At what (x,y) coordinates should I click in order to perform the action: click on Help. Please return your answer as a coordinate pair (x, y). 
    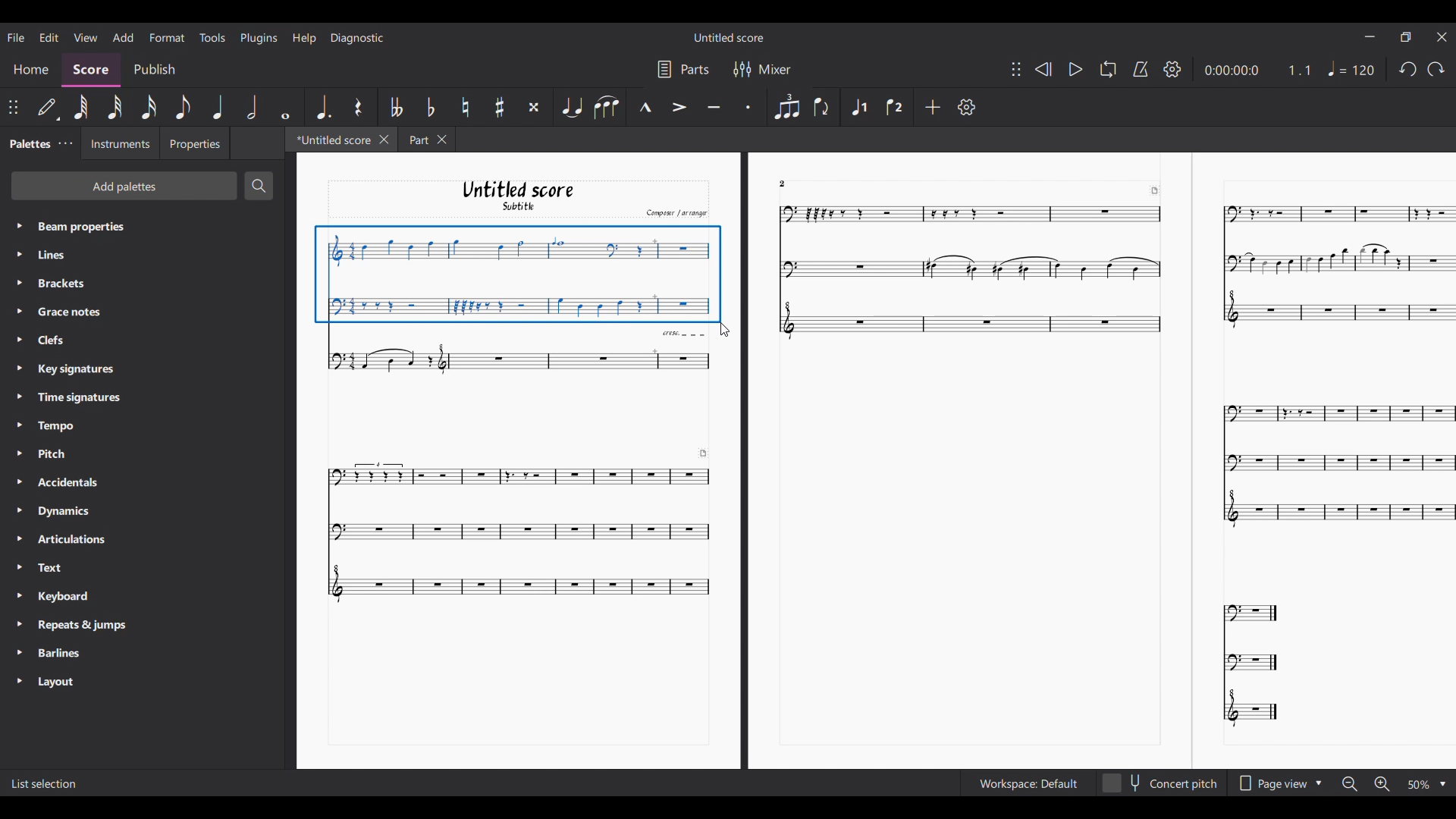
    Looking at the image, I should click on (303, 39).